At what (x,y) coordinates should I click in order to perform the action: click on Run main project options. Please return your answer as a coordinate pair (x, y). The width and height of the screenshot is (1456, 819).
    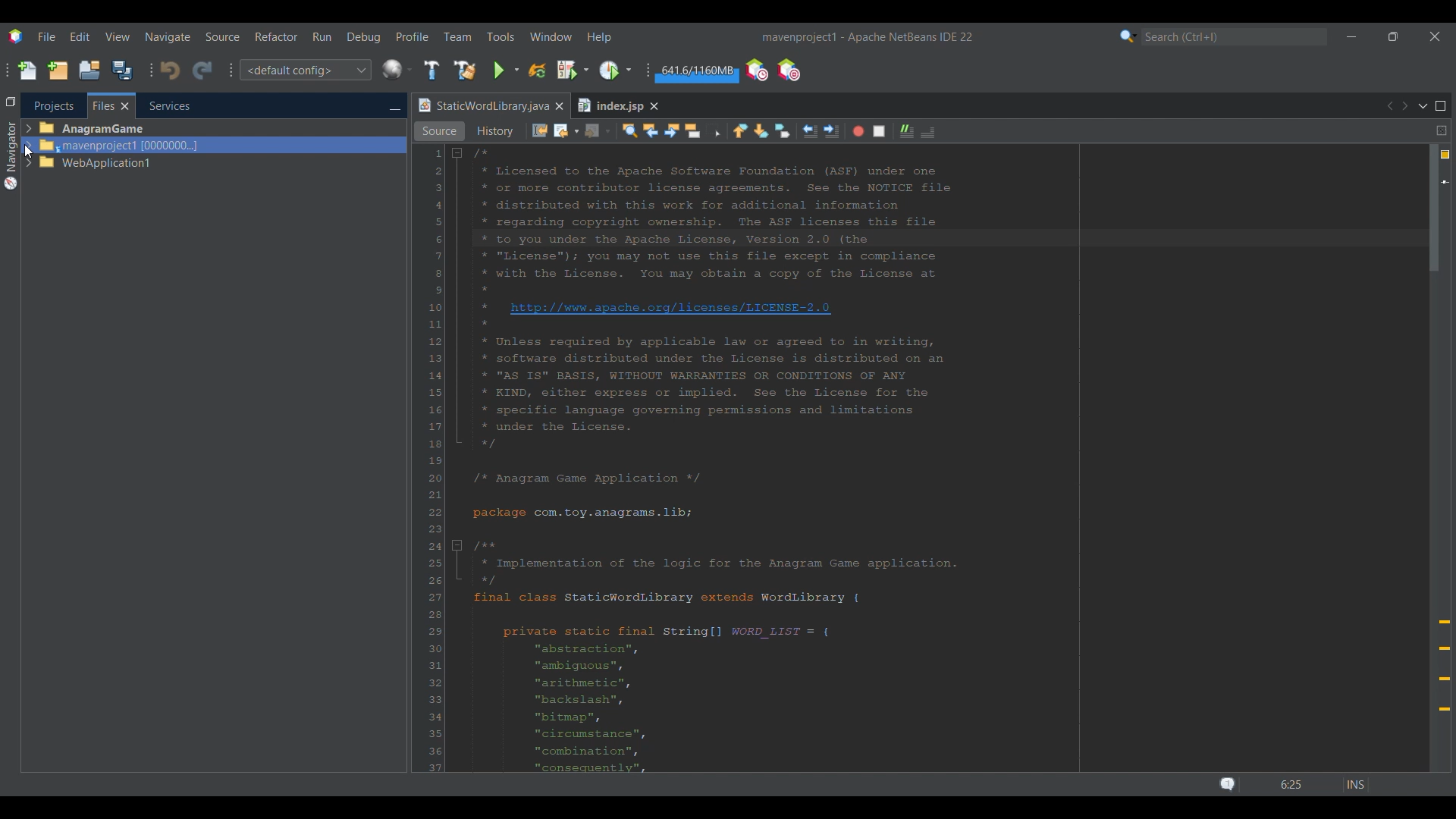
    Looking at the image, I should click on (507, 71).